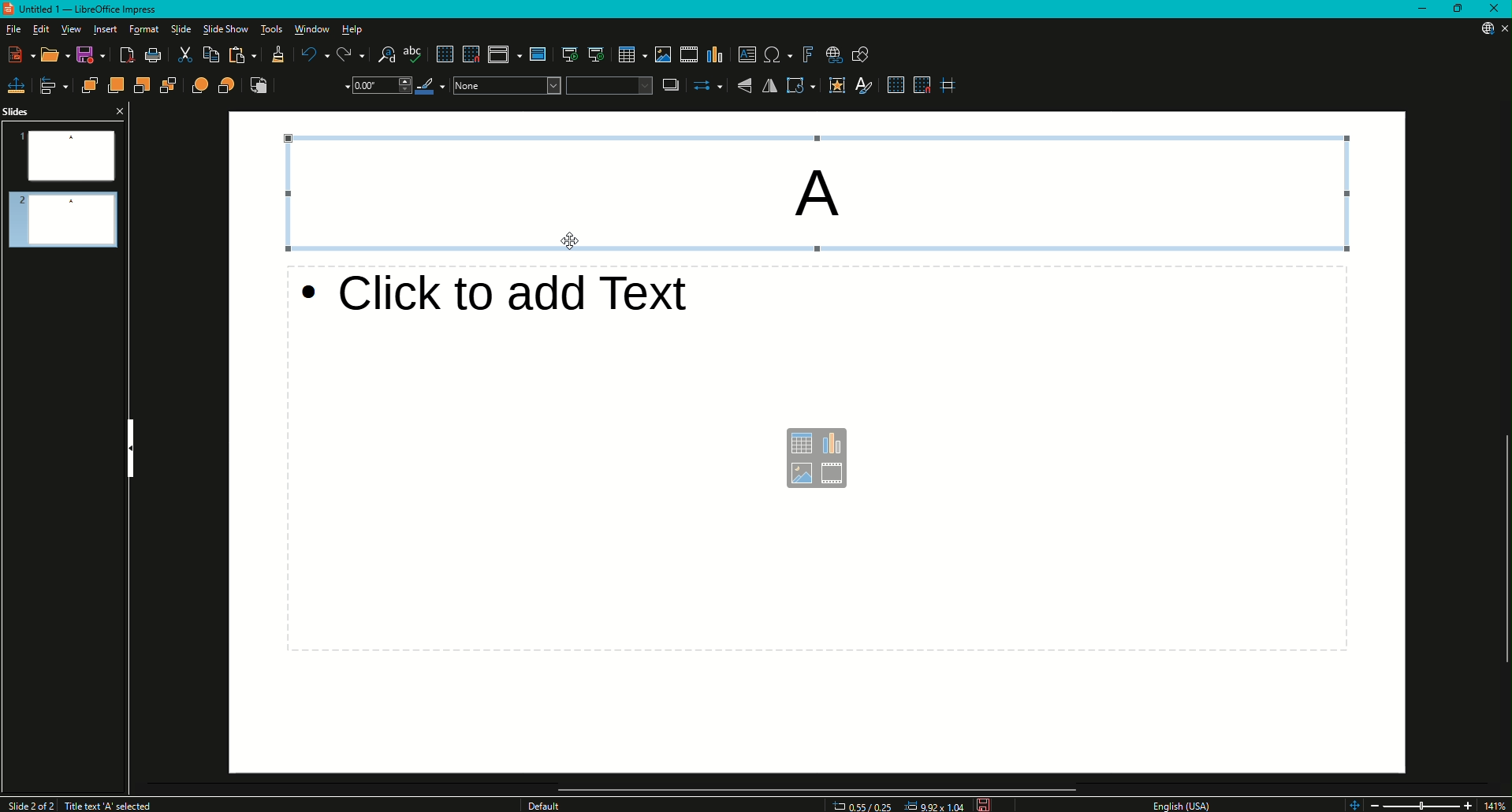 This screenshot has height=812, width=1512. What do you see at coordinates (170, 85) in the screenshot?
I see `Send to Back` at bounding box center [170, 85].